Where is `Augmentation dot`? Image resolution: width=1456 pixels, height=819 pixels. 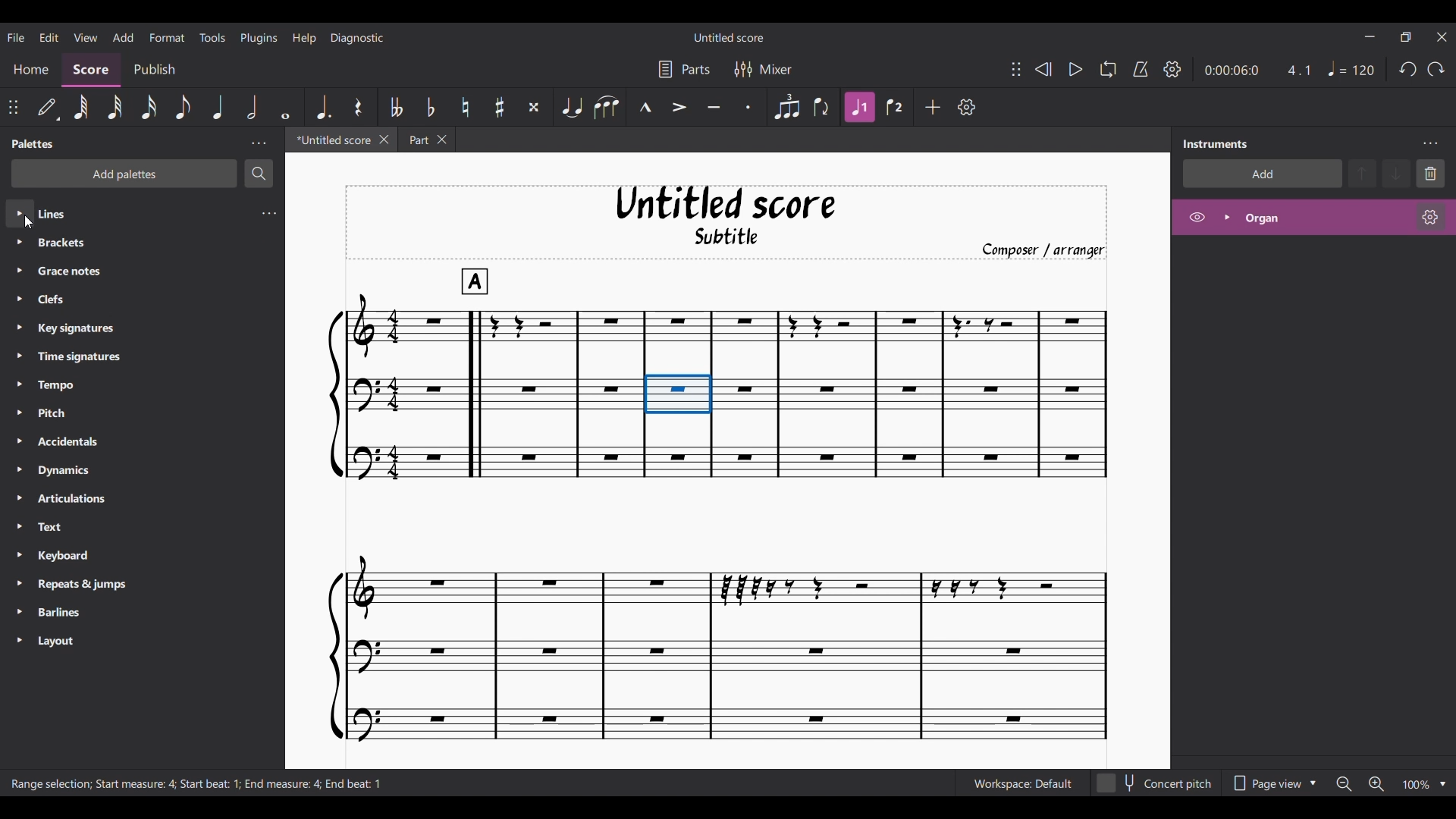
Augmentation dot is located at coordinates (323, 107).